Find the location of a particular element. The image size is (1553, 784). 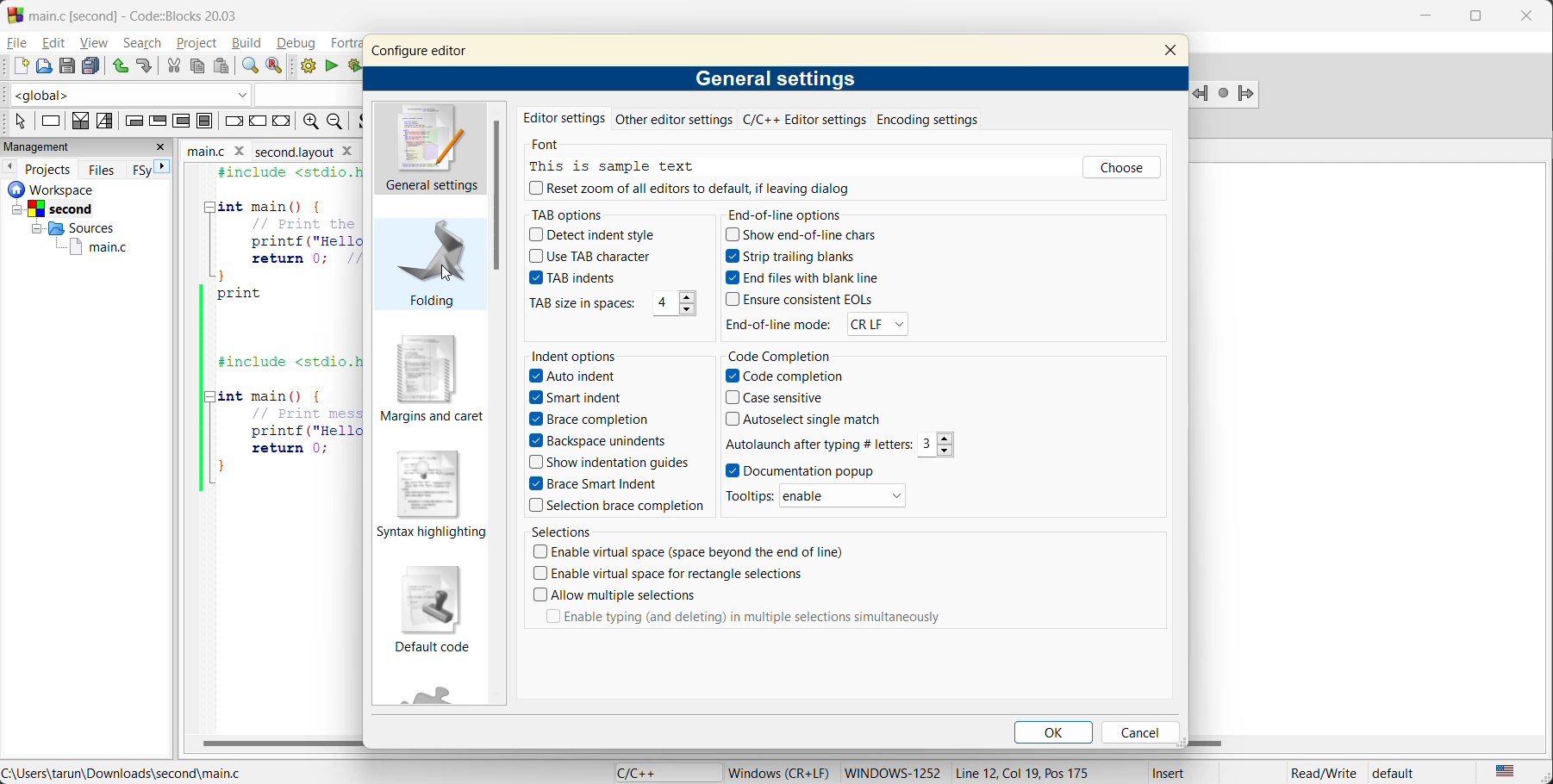

Insert is located at coordinates (1180, 770).